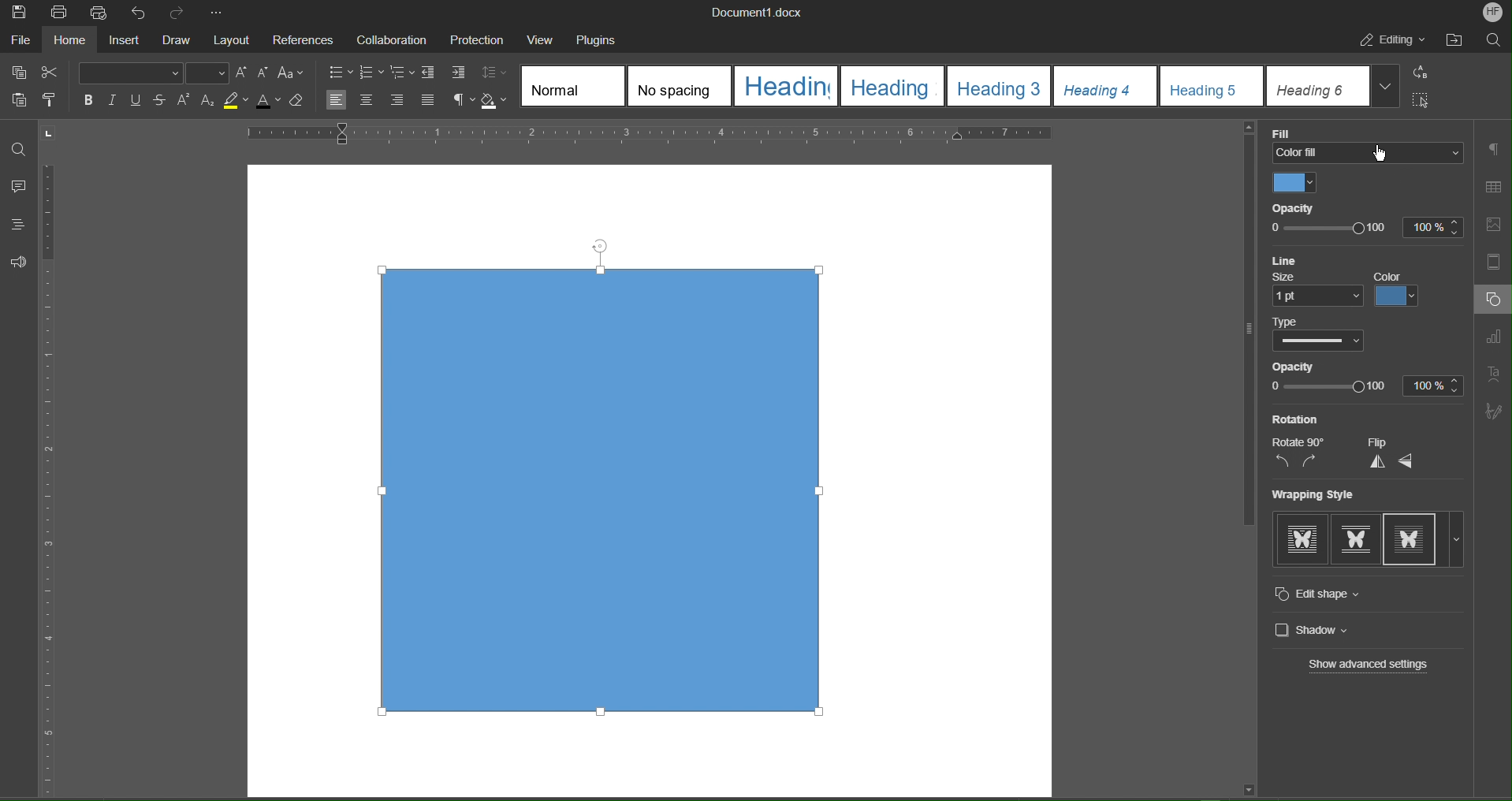  I want to click on Line spacing, so click(496, 72).